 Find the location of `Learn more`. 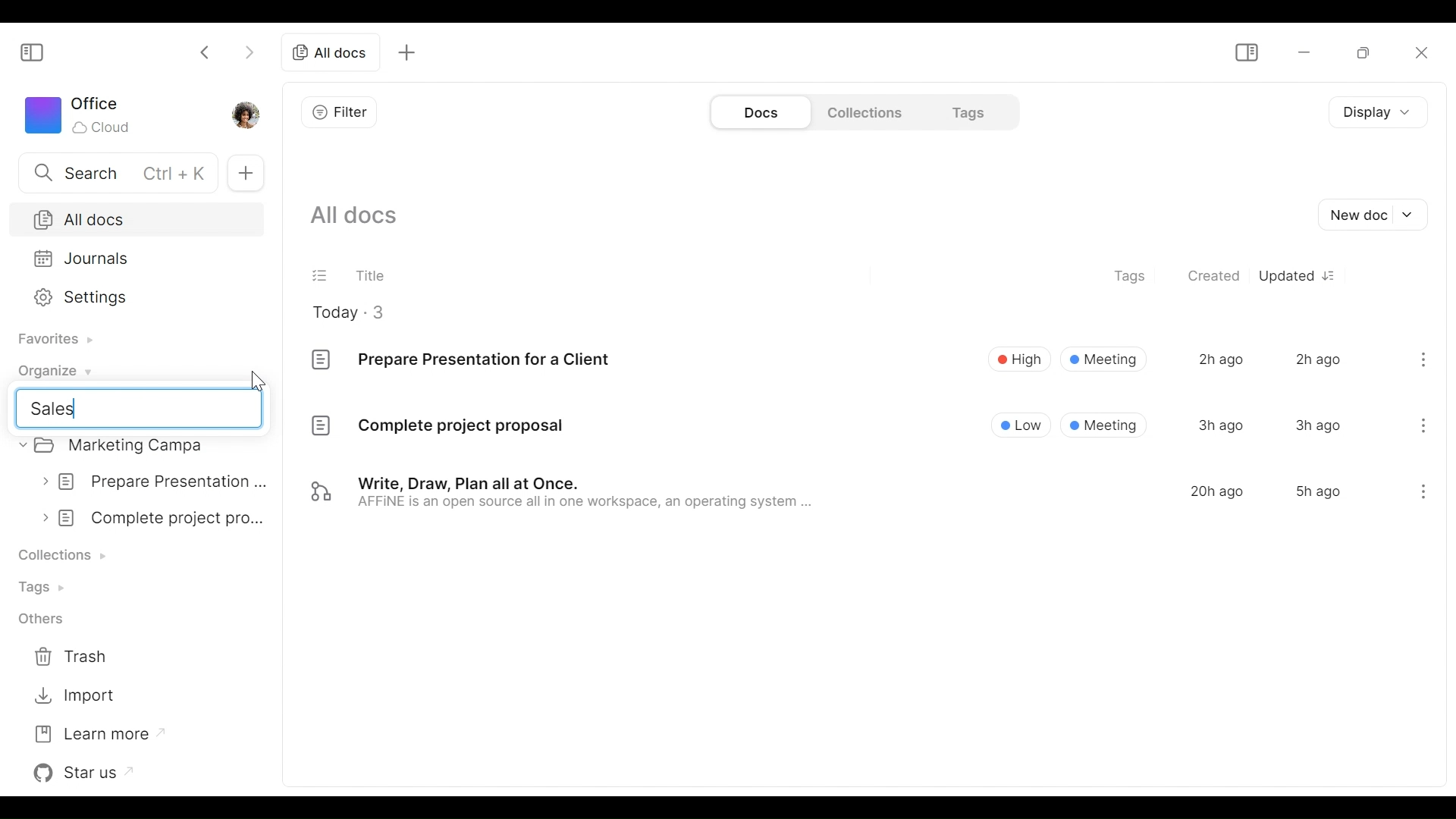

Learn more is located at coordinates (94, 733).